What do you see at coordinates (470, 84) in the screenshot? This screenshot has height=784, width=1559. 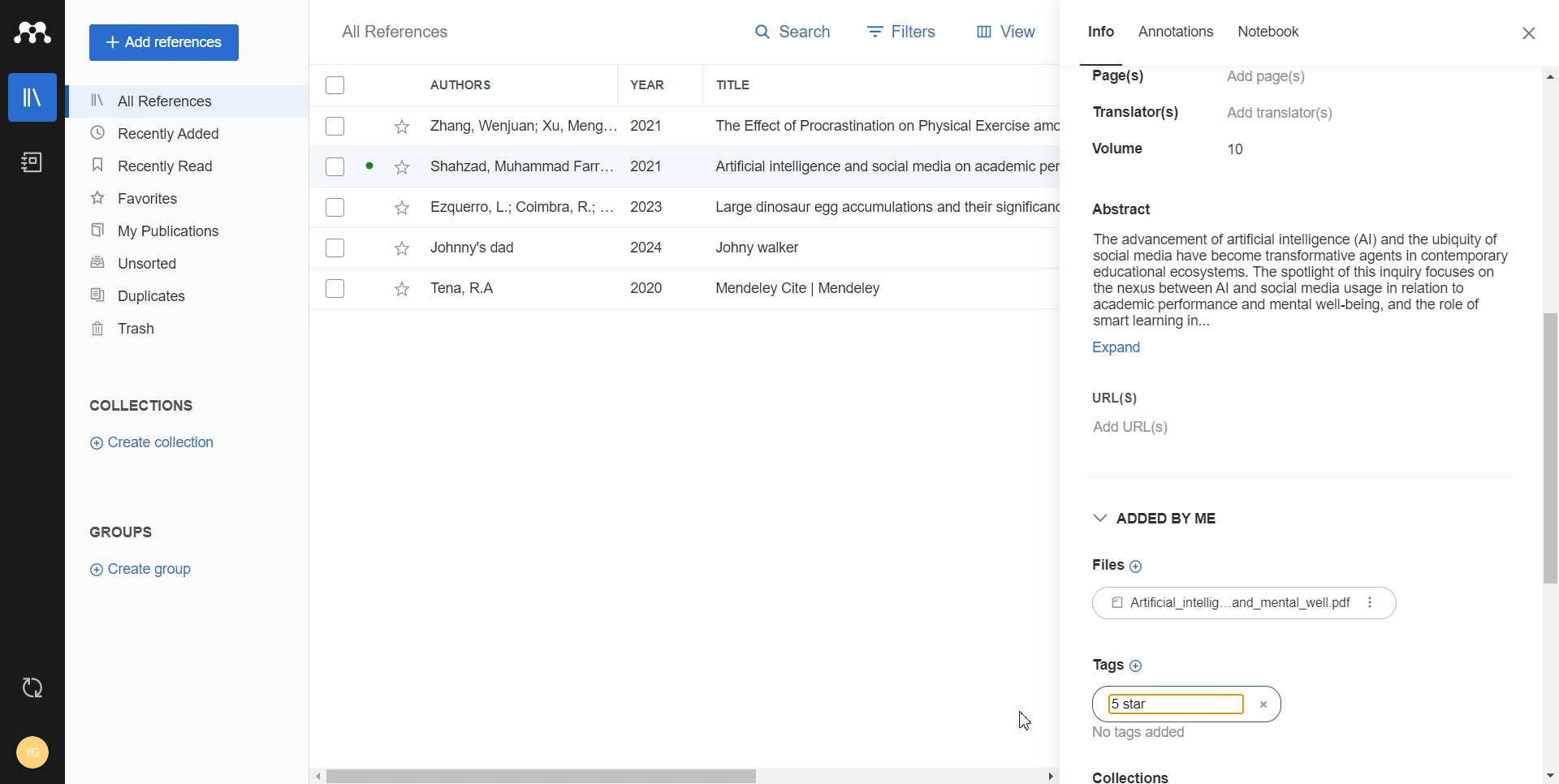 I see `Authors` at bounding box center [470, 84].